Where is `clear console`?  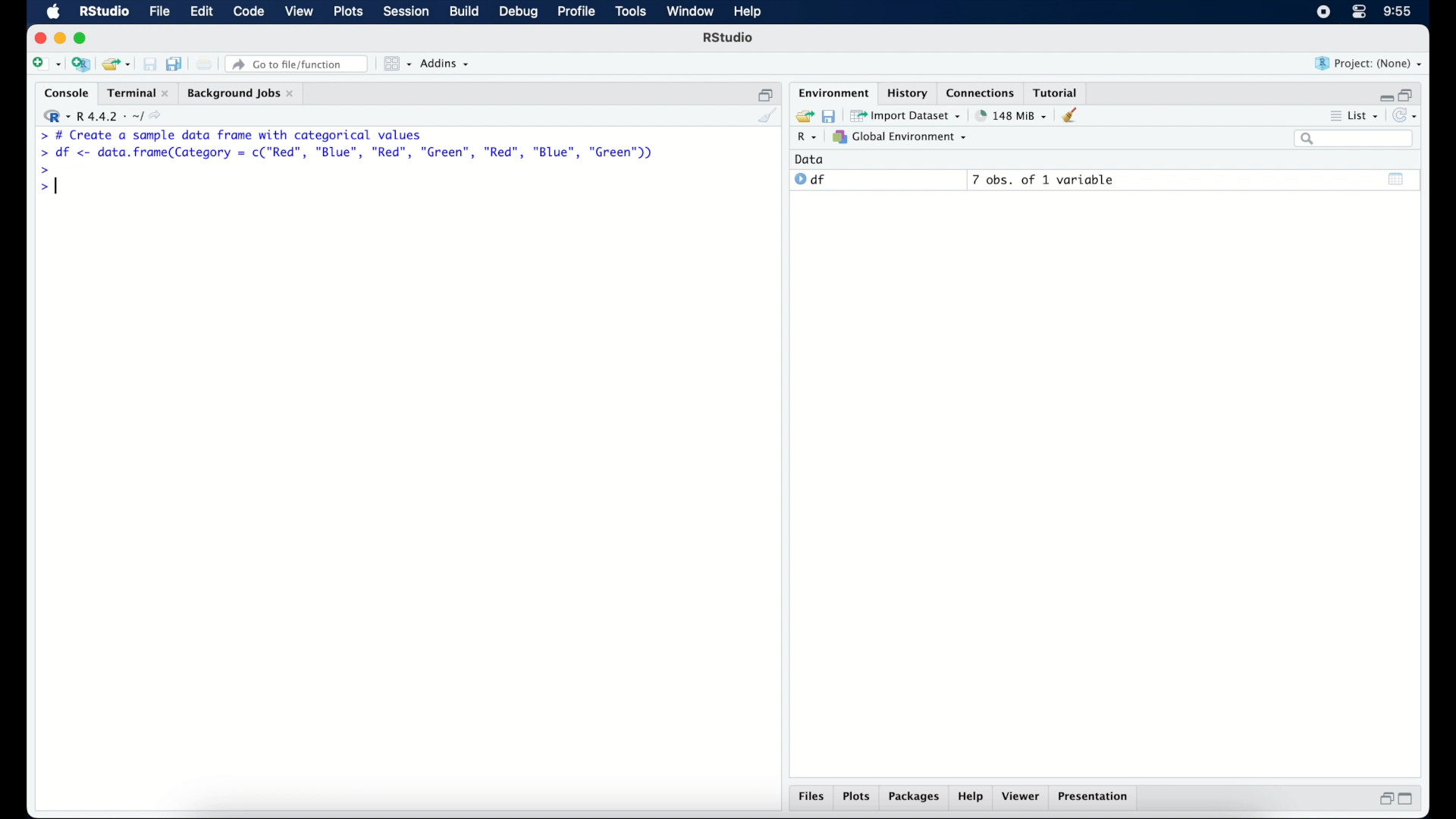 clear console is located at coordinates (768, 116).